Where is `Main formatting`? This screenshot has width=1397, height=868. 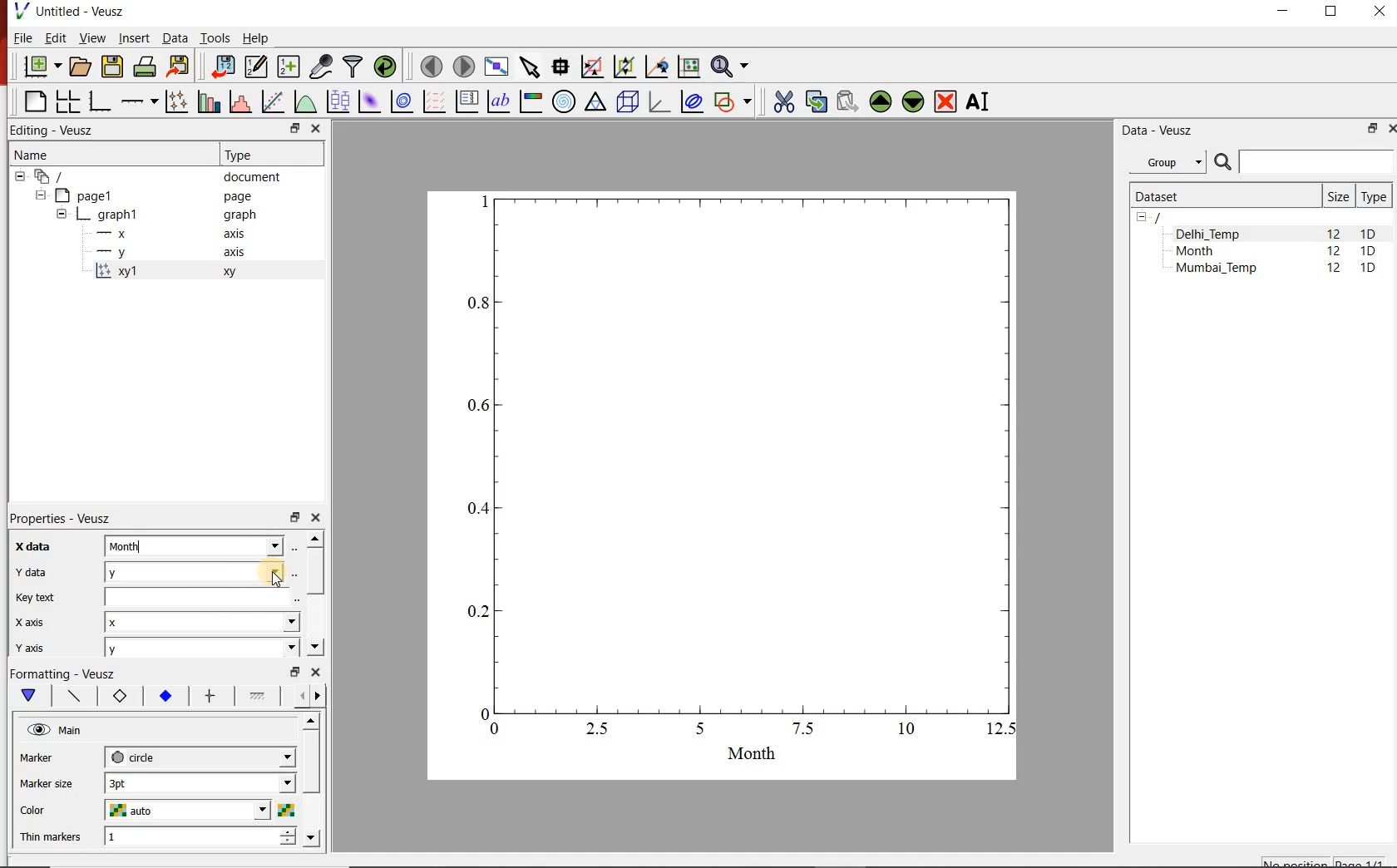
Main formatting is located at coordinates (26, 696).